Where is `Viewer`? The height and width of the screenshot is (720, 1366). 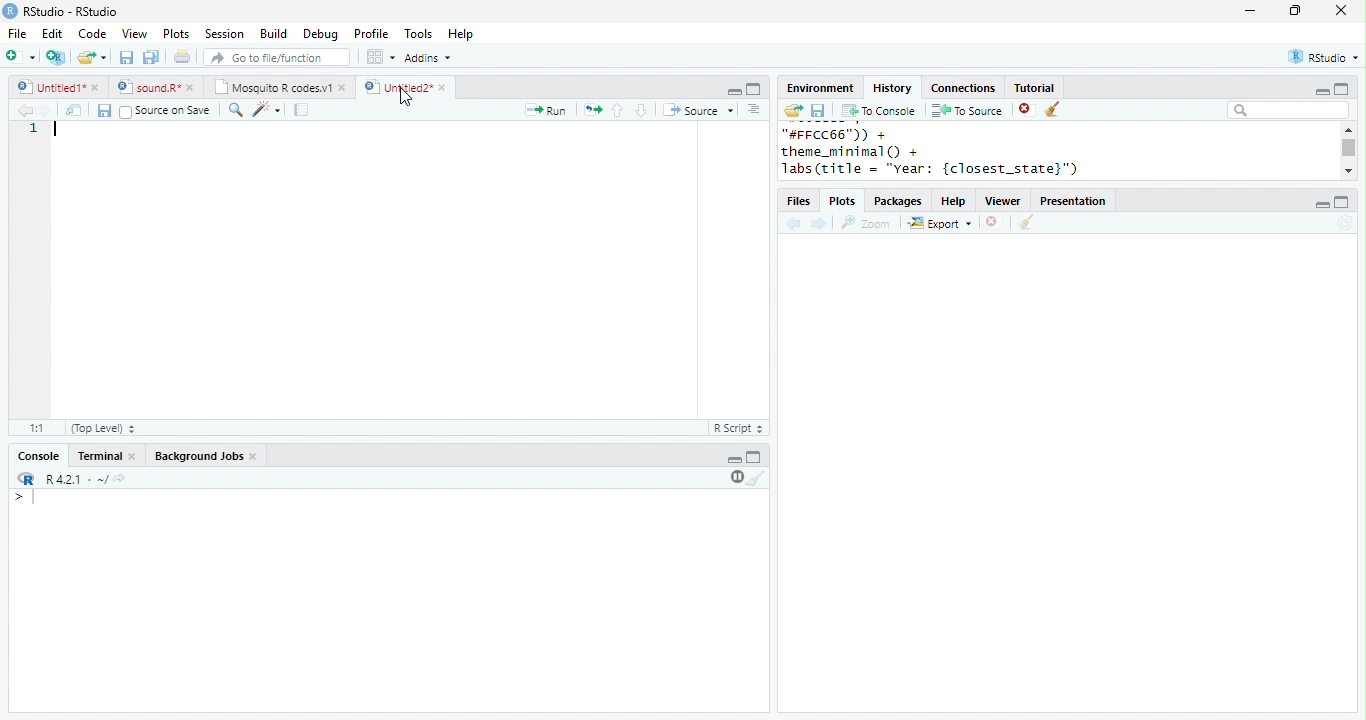
Viewer is located at coordinates (1003, 201).